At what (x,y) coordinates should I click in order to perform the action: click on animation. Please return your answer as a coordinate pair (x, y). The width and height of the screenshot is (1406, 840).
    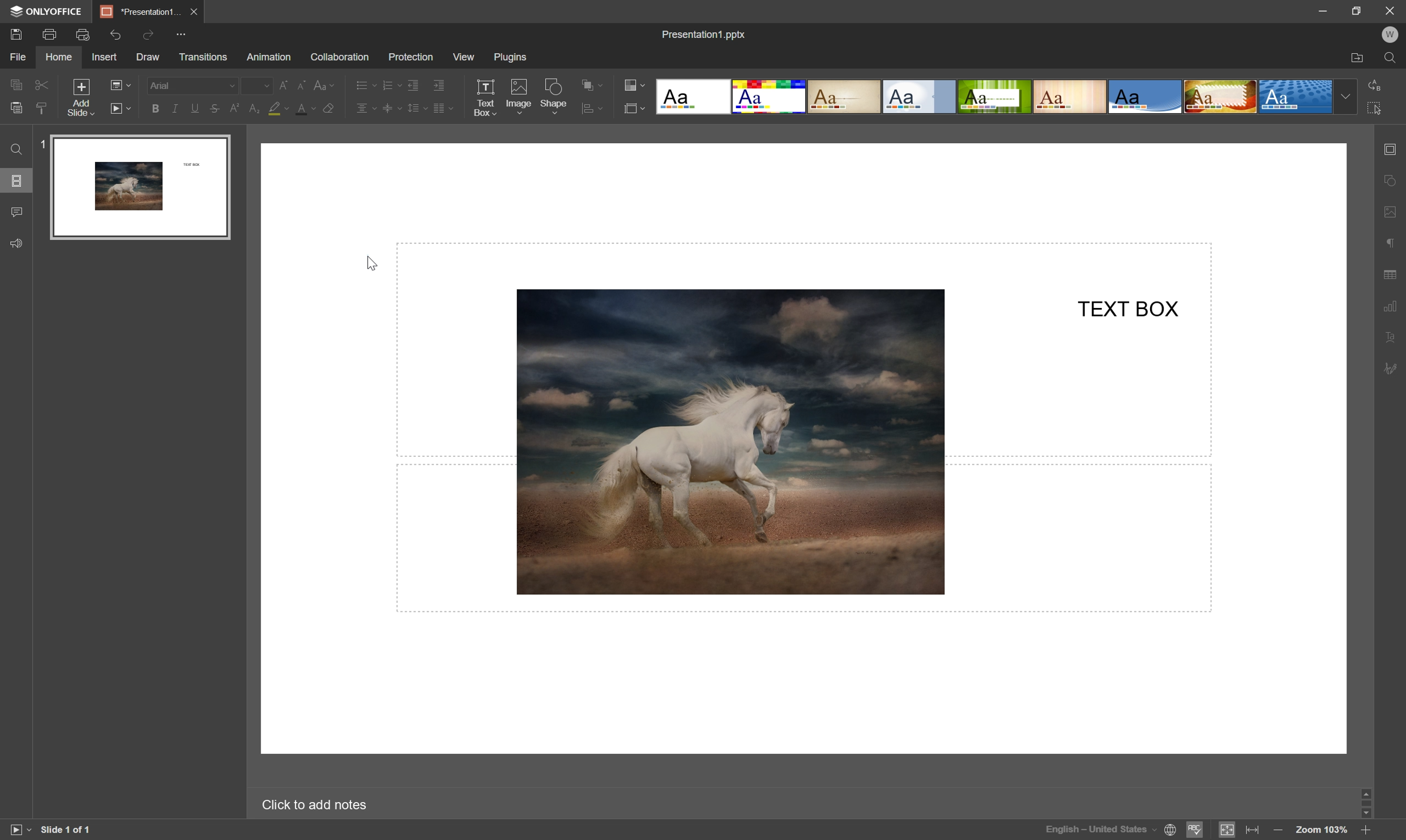
    Looking at the image, I should click on (269, 57).